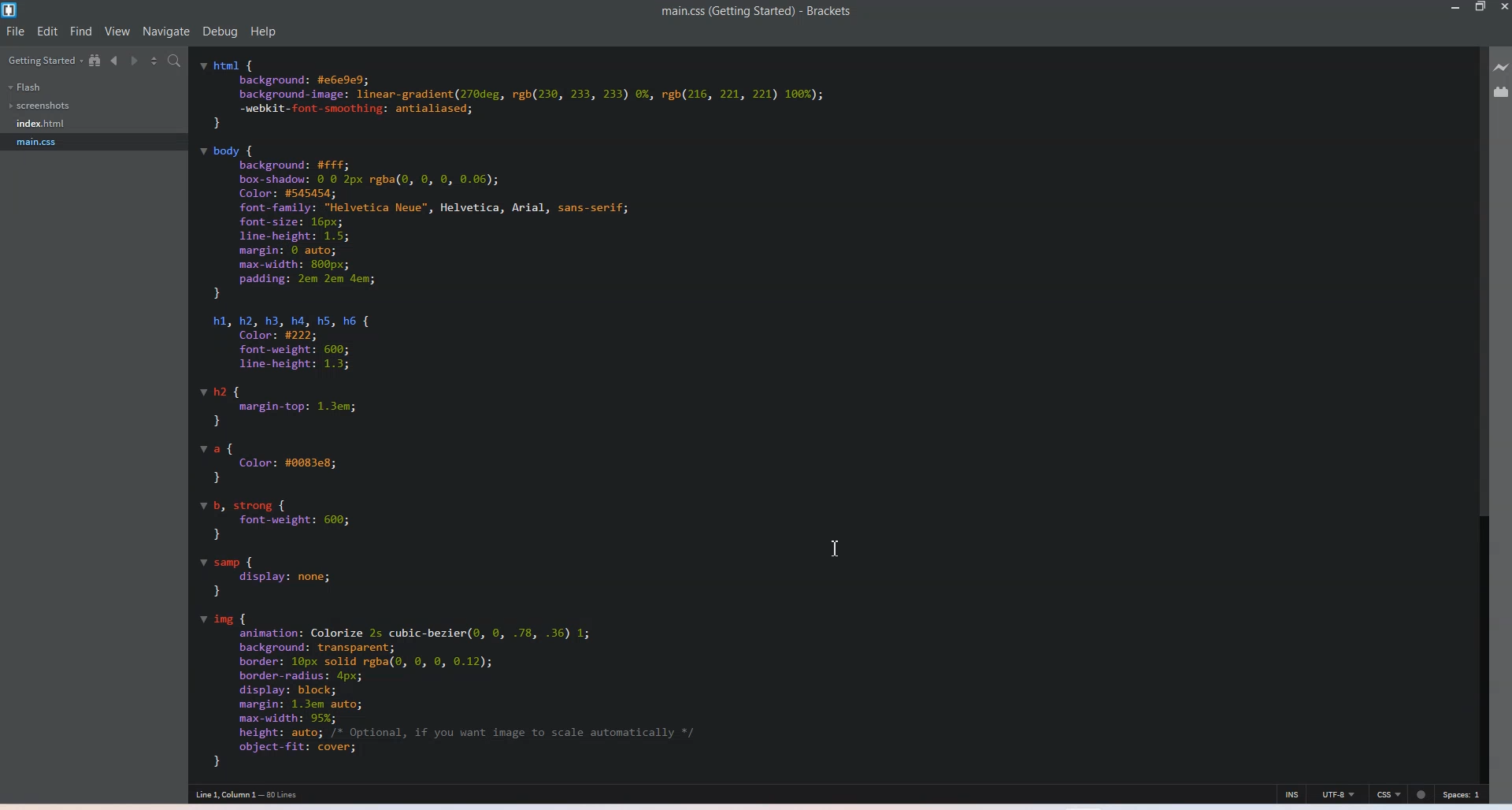  Describe the element at coordinates (1480, 7) in the screenshot. I see `Maximize` at that location.